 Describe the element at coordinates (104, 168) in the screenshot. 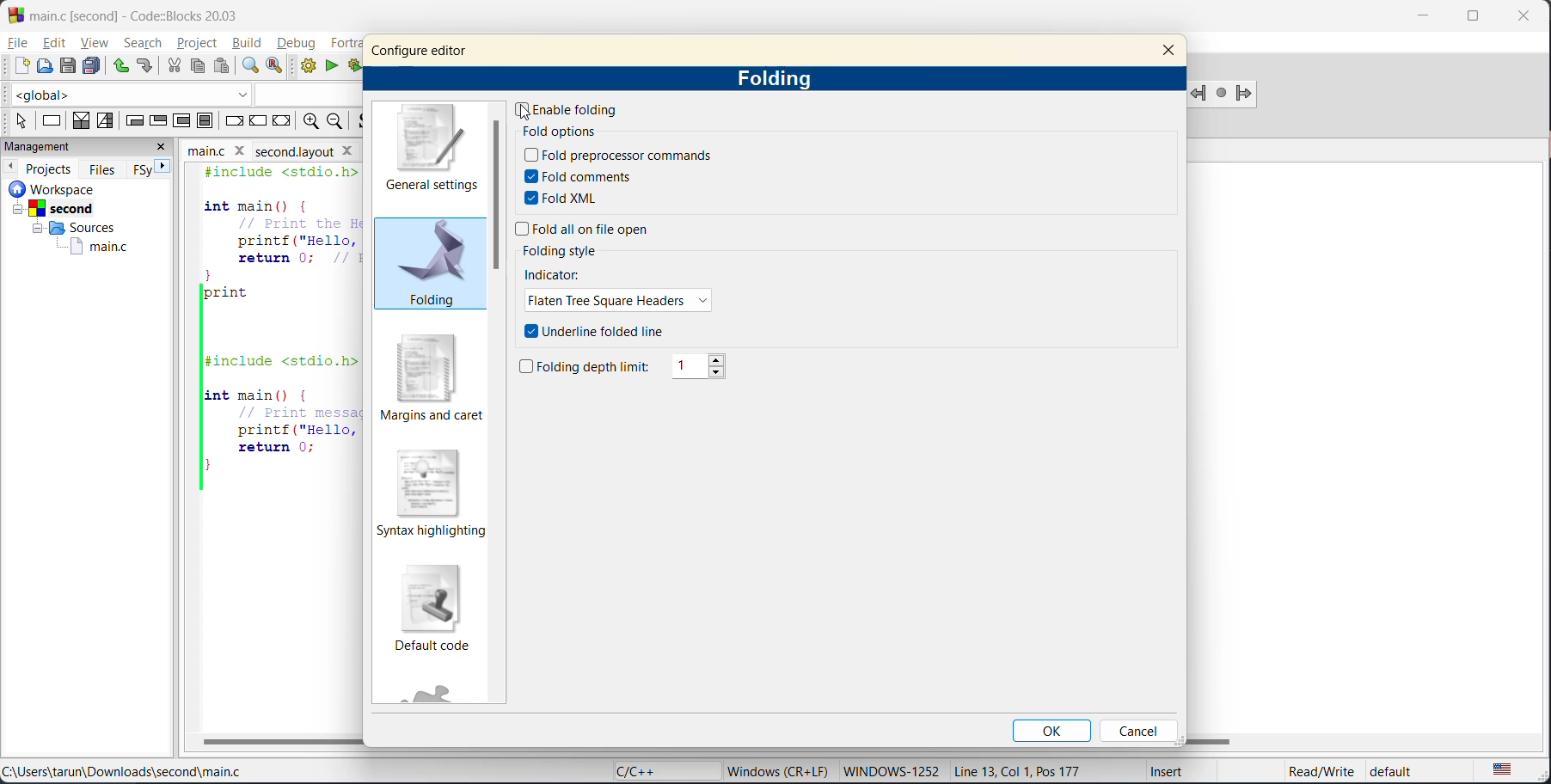

I see `files` at that location.